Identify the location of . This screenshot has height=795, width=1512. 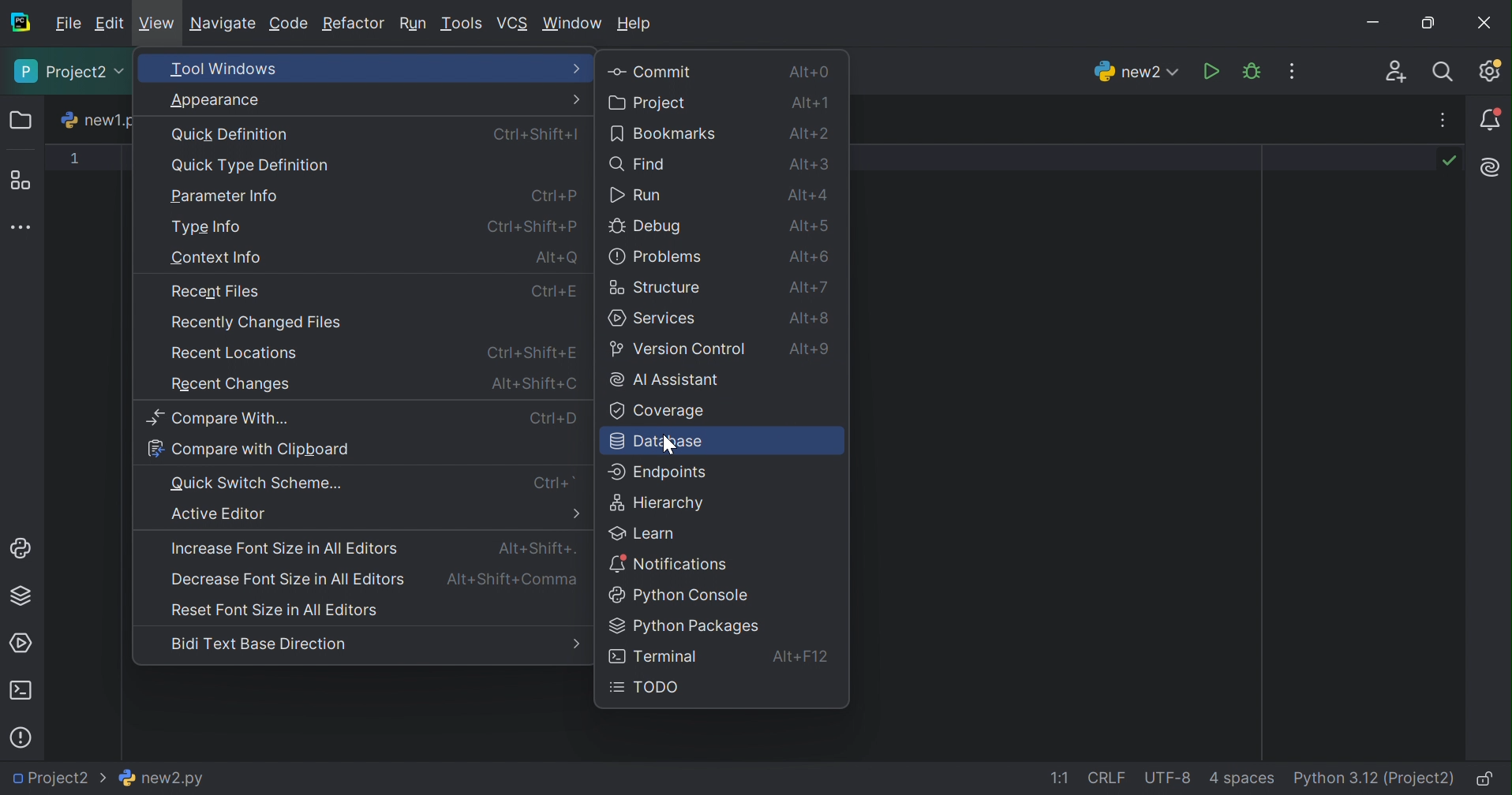
(22, 179).